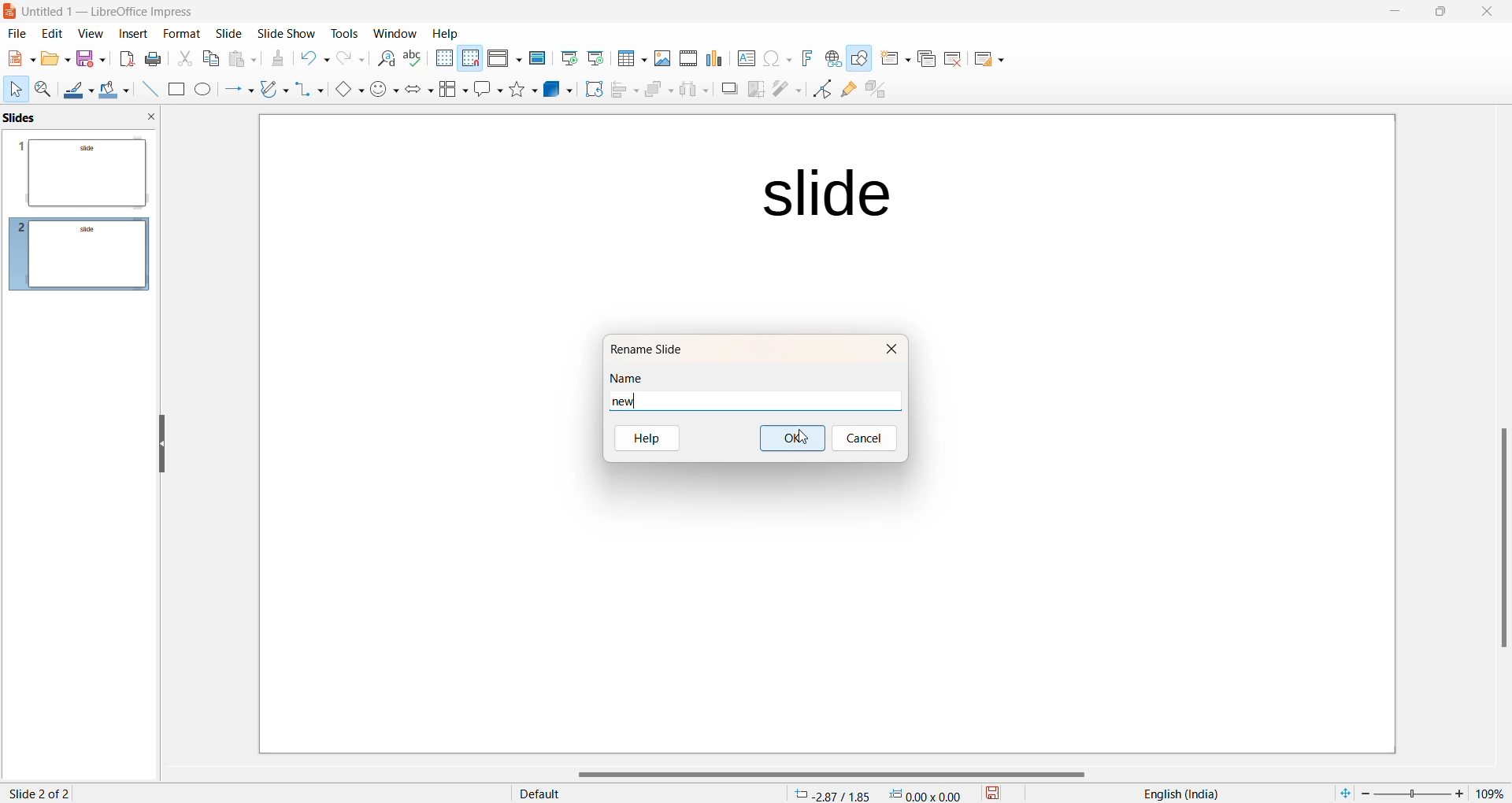 Image resolution: width=1512 pixels, height=803 pixels. Describe the element at coordinates (992, 794) in the screenshot. I see `save` at that location.